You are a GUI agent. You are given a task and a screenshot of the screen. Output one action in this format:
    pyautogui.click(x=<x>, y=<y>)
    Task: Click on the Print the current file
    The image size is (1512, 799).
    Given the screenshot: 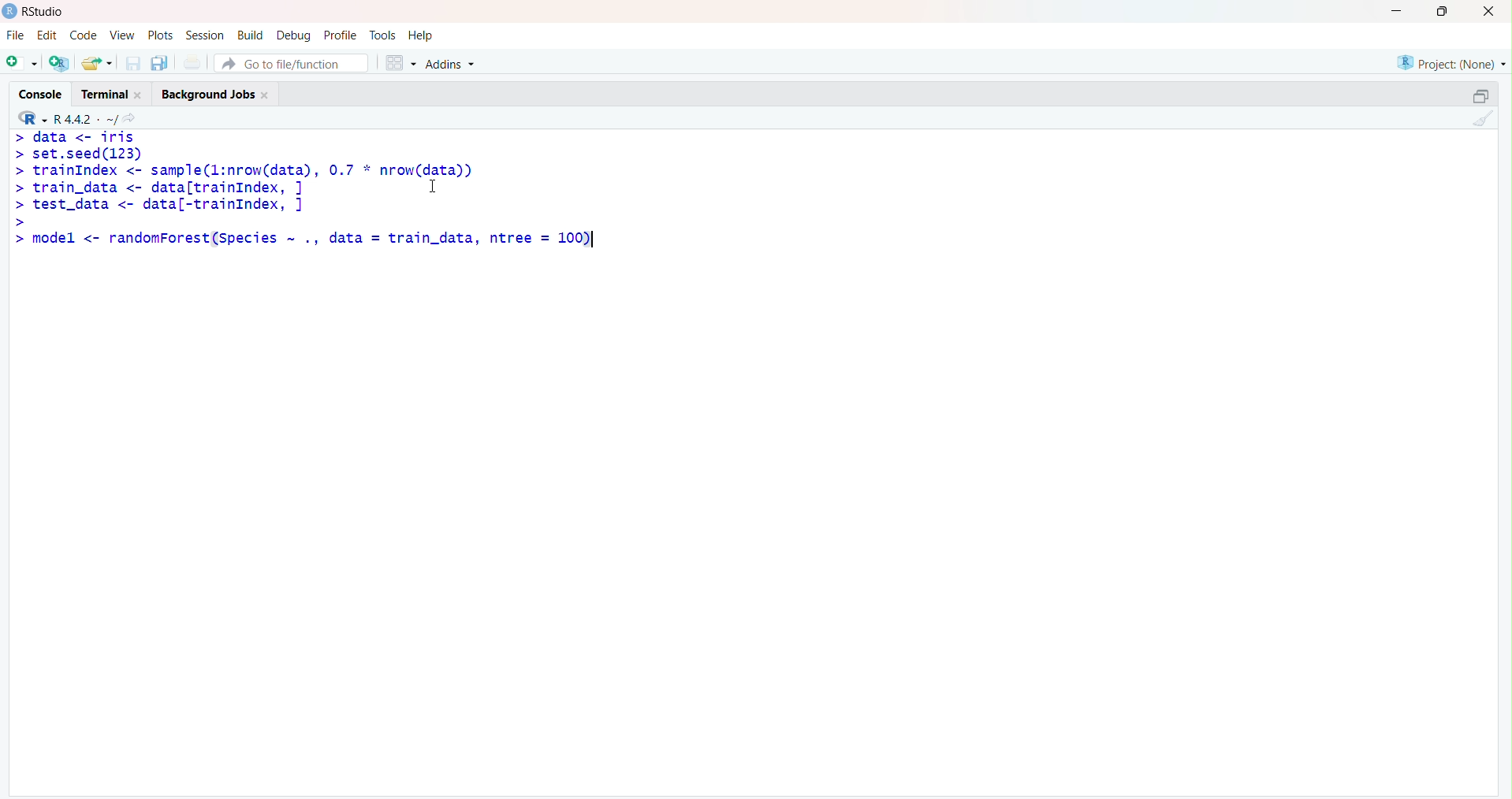 What is the action you would take?
    pyautogui.click(x=192, y=64)
    